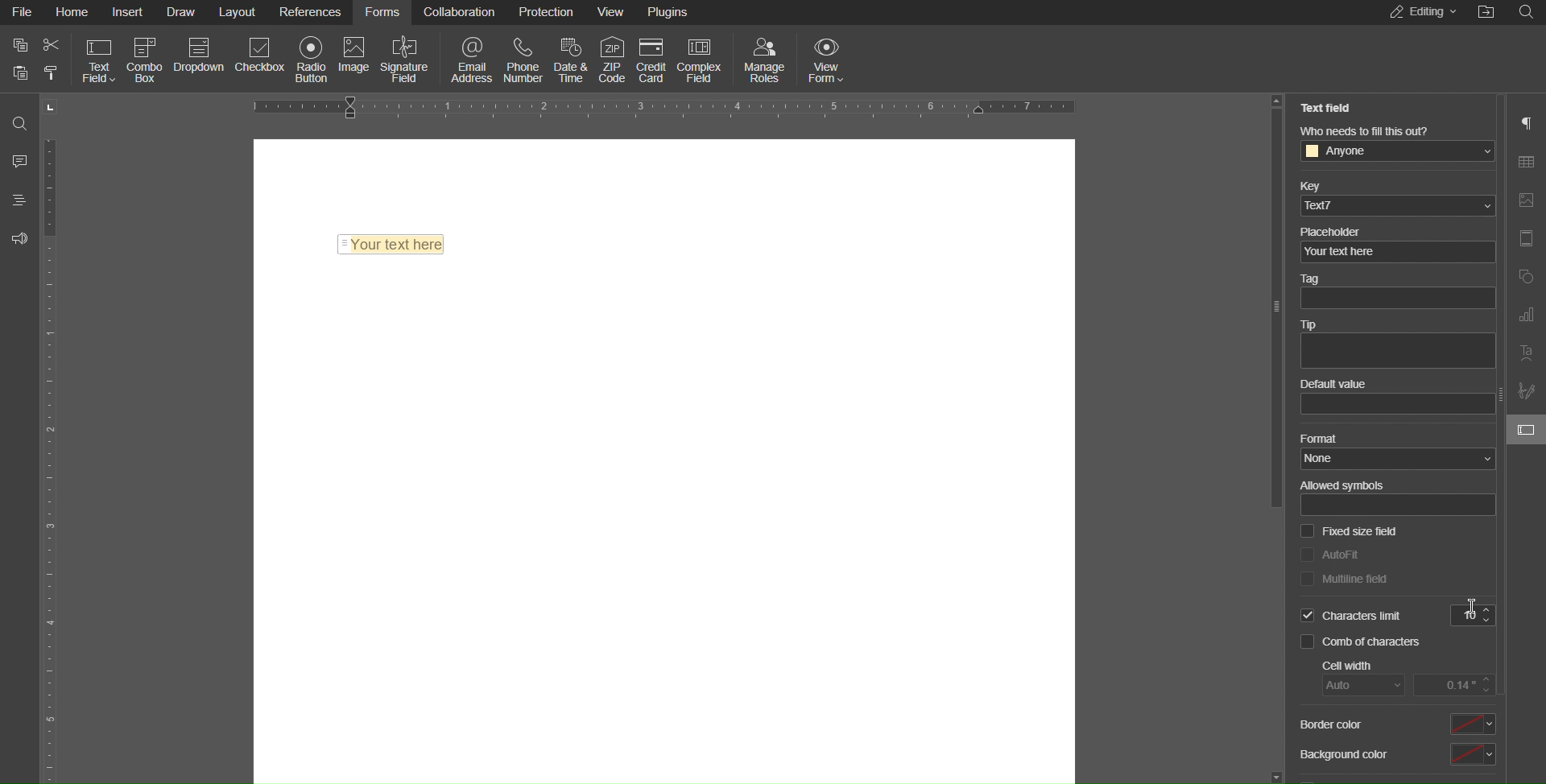 The image size is (1546, 784). What do you see at coordinates (766, 58) in the screenshot?
I see `Manage Rules` at bounding box center [766, 58].